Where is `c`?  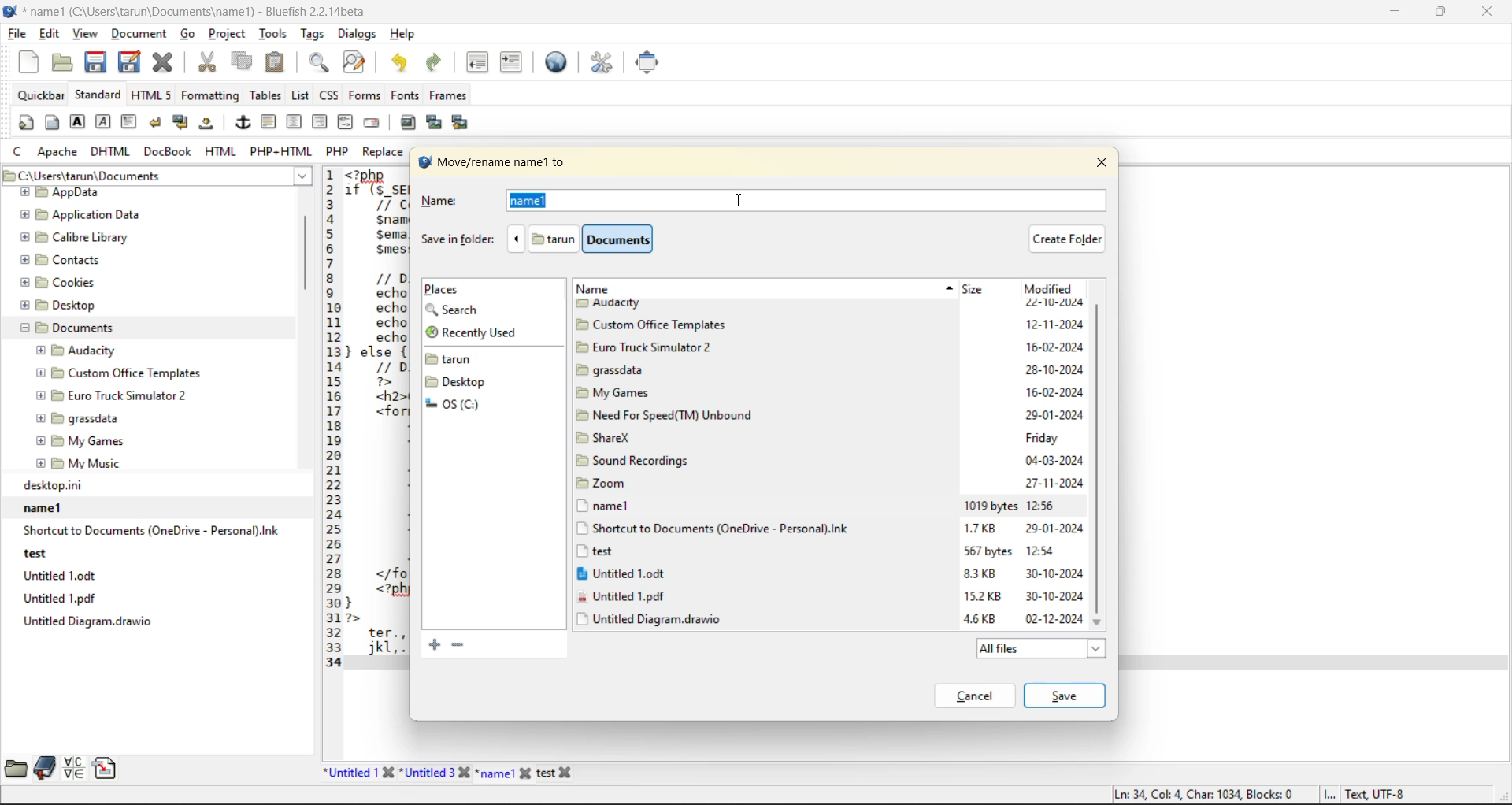 c is located at coordinates (18, 150).